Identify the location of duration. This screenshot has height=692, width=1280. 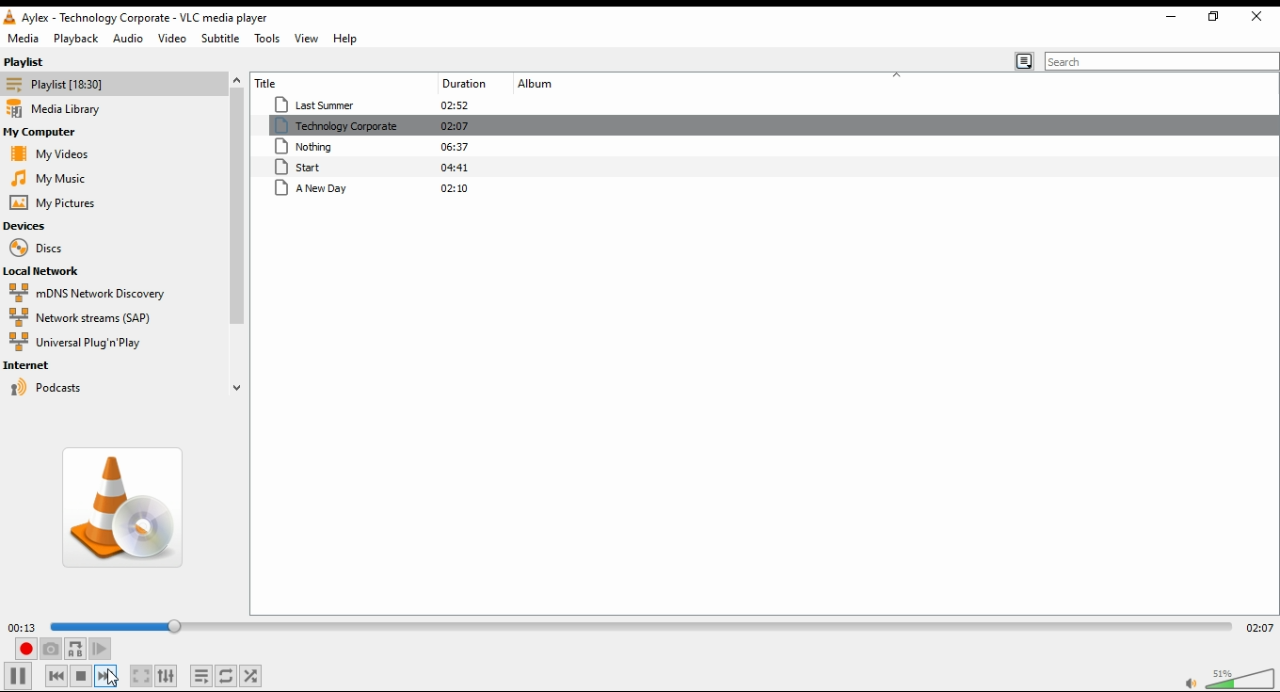
(474, 82).